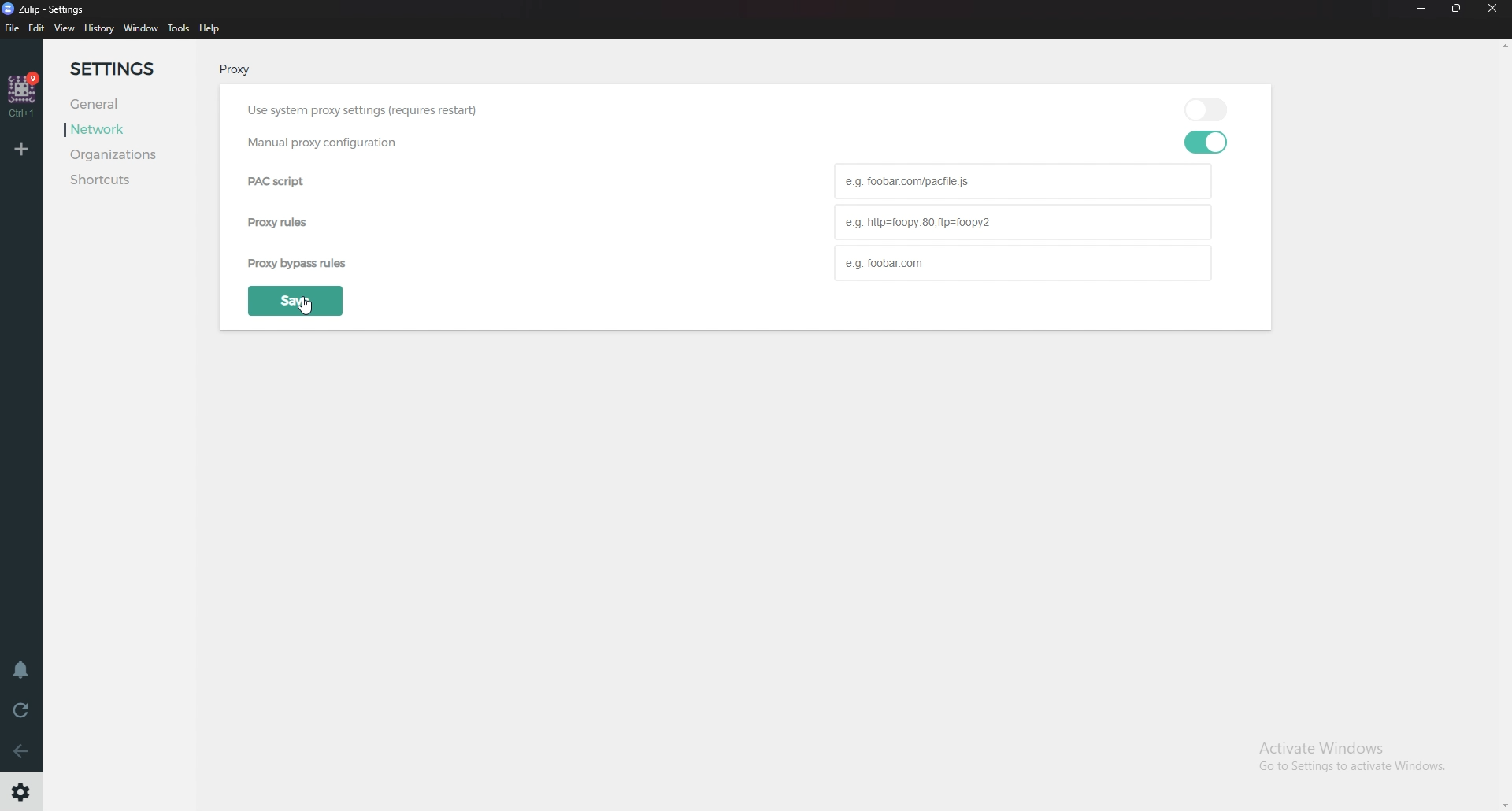 The height and width of the screenshot is (811, 1512). Describe the element at coordinates (1022, 222) in the screenshot. I see `Proxy rules` at that location.